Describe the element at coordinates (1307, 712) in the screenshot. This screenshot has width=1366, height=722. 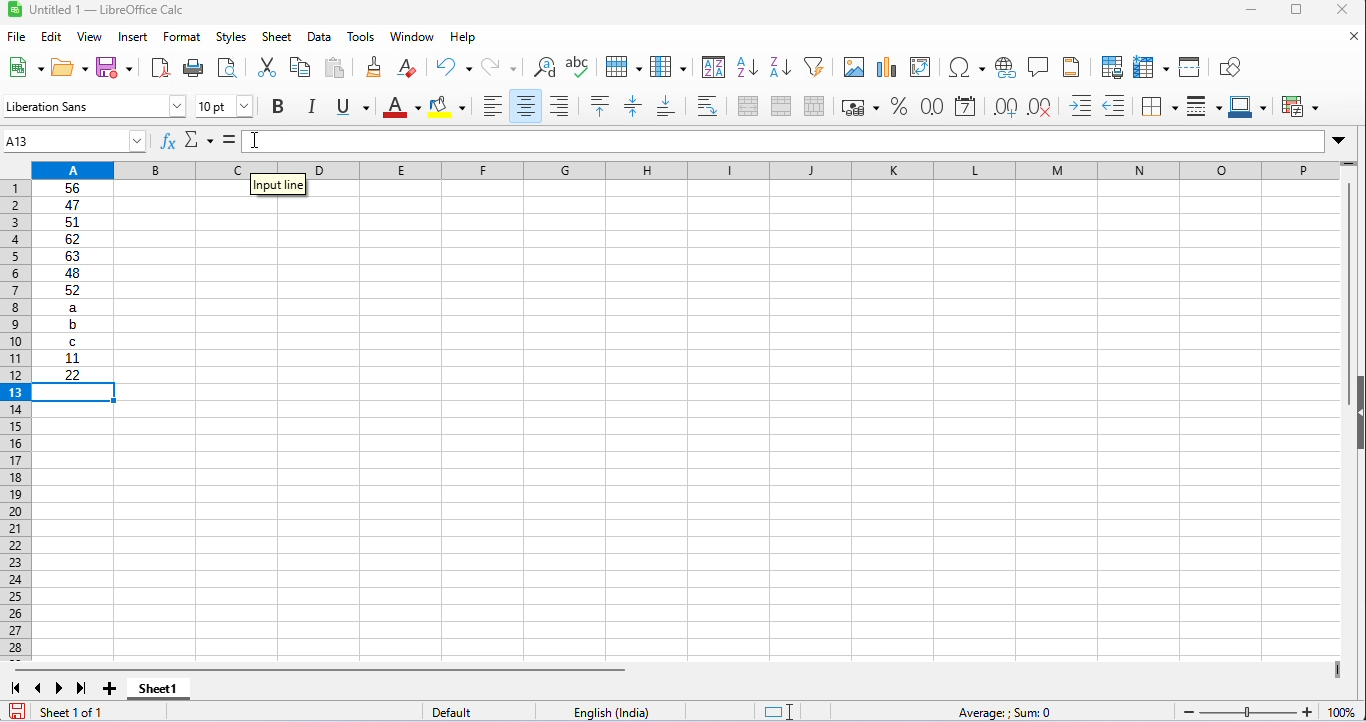
I see `Zoom in` at that location.